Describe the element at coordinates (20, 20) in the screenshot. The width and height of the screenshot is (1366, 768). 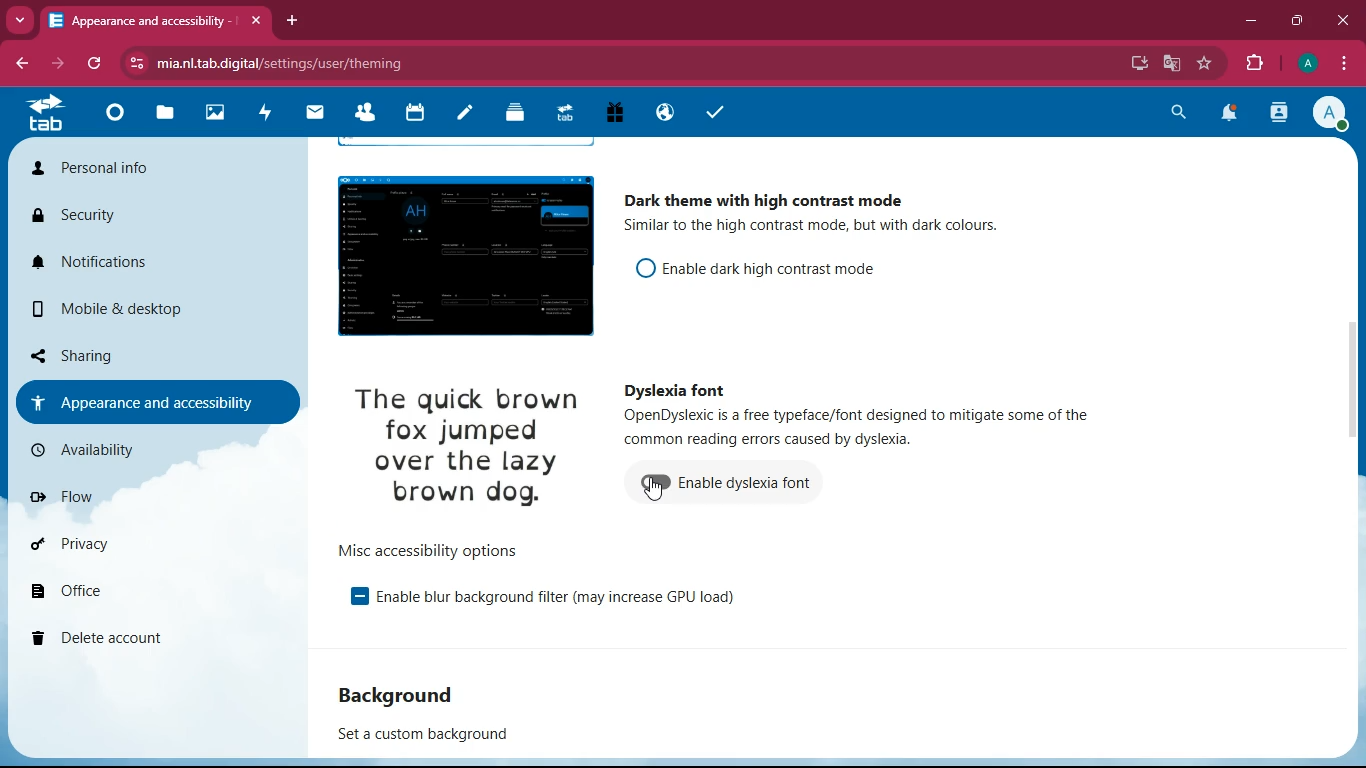
I see `more` at that location.